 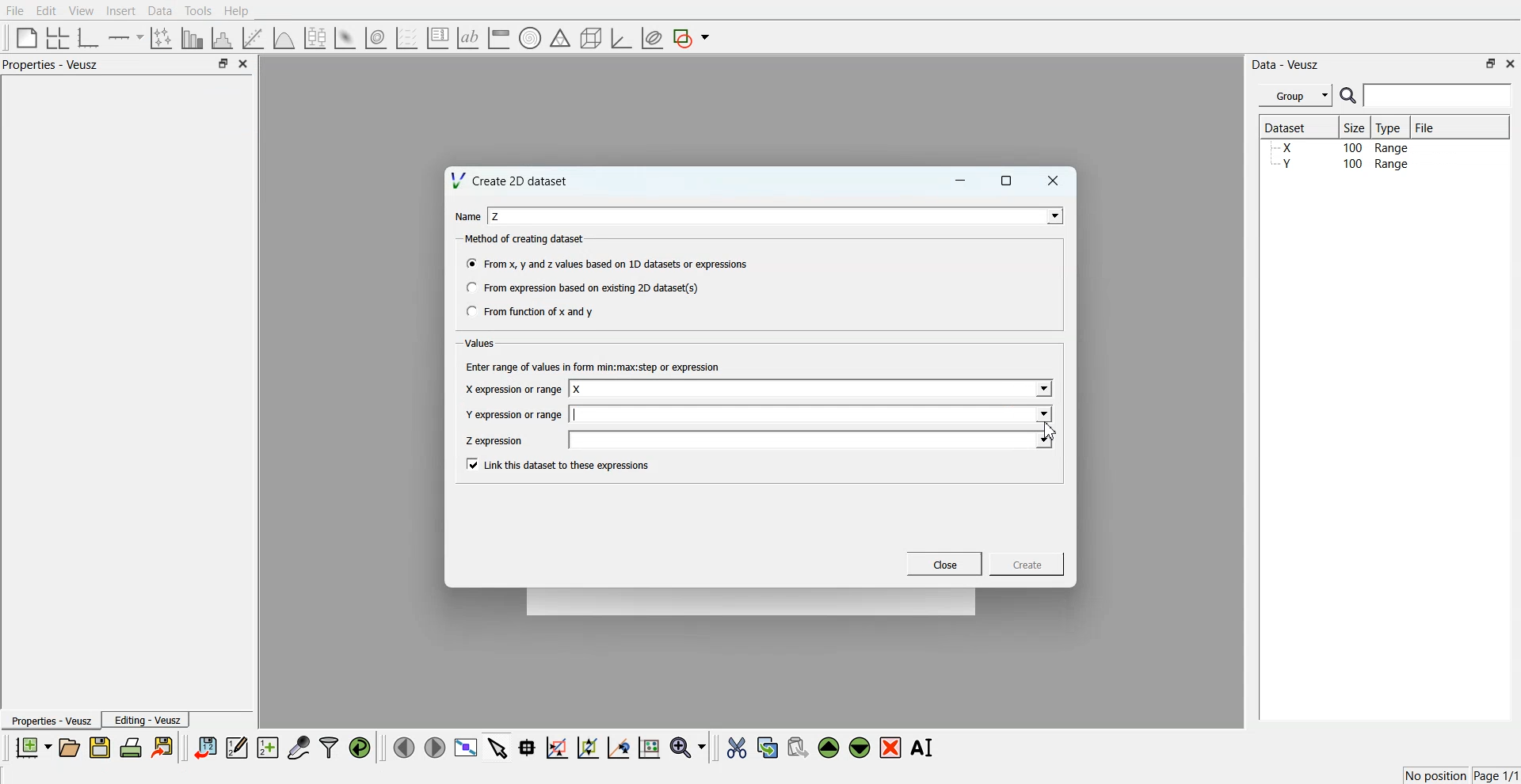 I want to click on Recenter graph axes, so click(x=619, y=747).